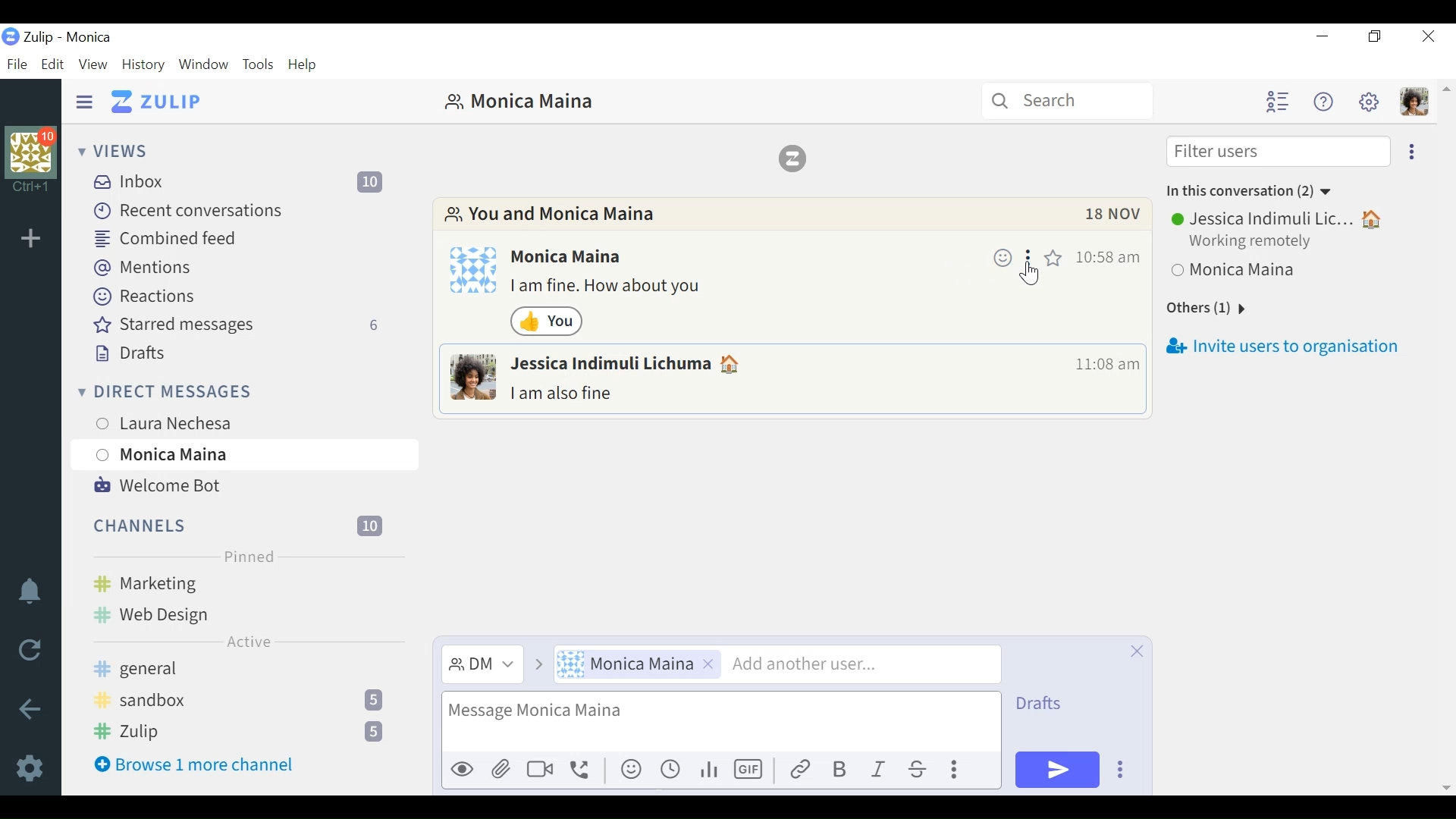  Describe the element at coordinates (67, 37) in the screenshot. I see `Zulip - Monica` at that location.